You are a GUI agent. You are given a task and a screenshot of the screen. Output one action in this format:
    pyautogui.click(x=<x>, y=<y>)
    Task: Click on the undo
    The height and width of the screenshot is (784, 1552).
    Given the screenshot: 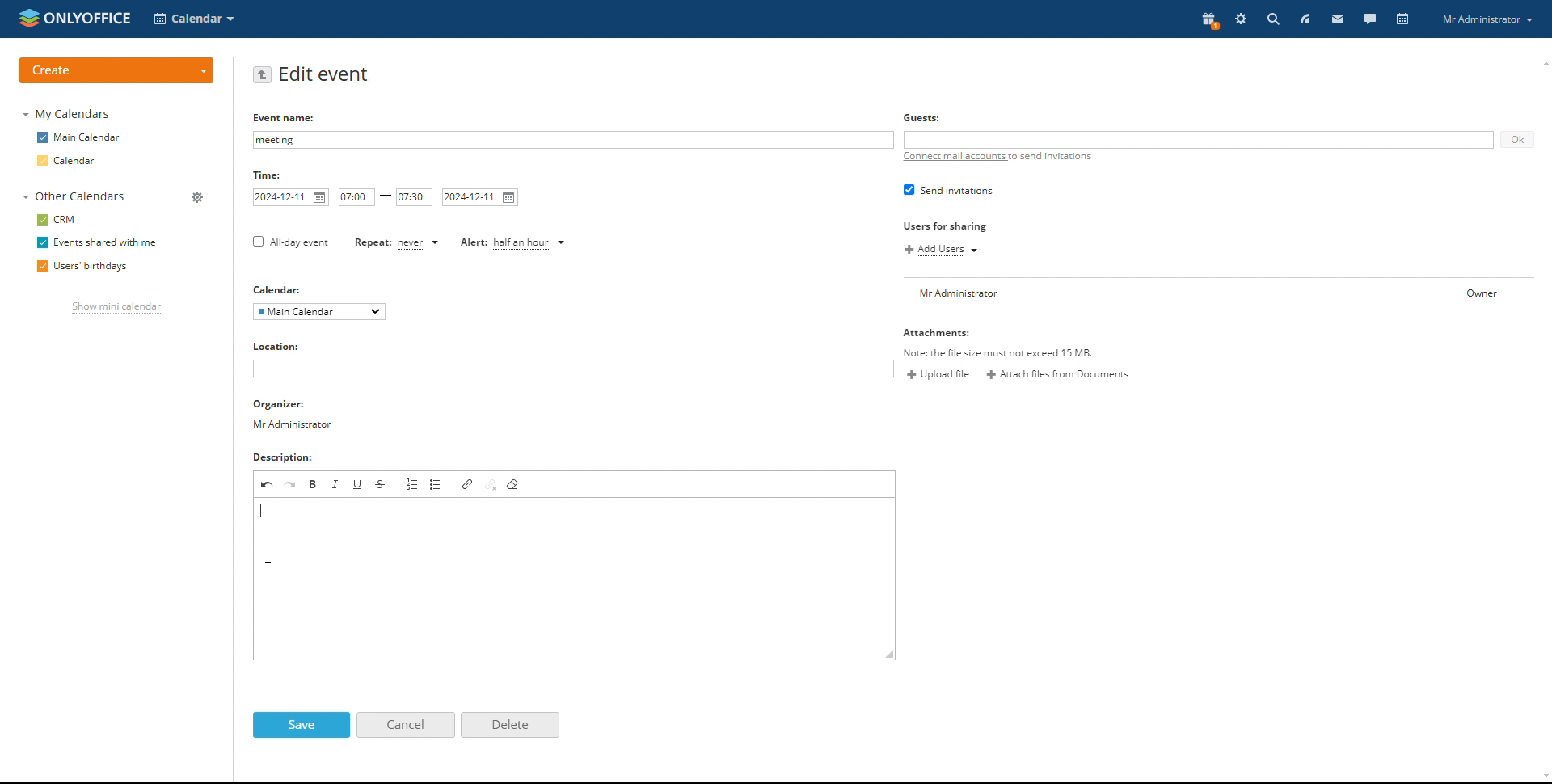 What is the action you would take?
    pyautogui.click(x=268, y=483)
    